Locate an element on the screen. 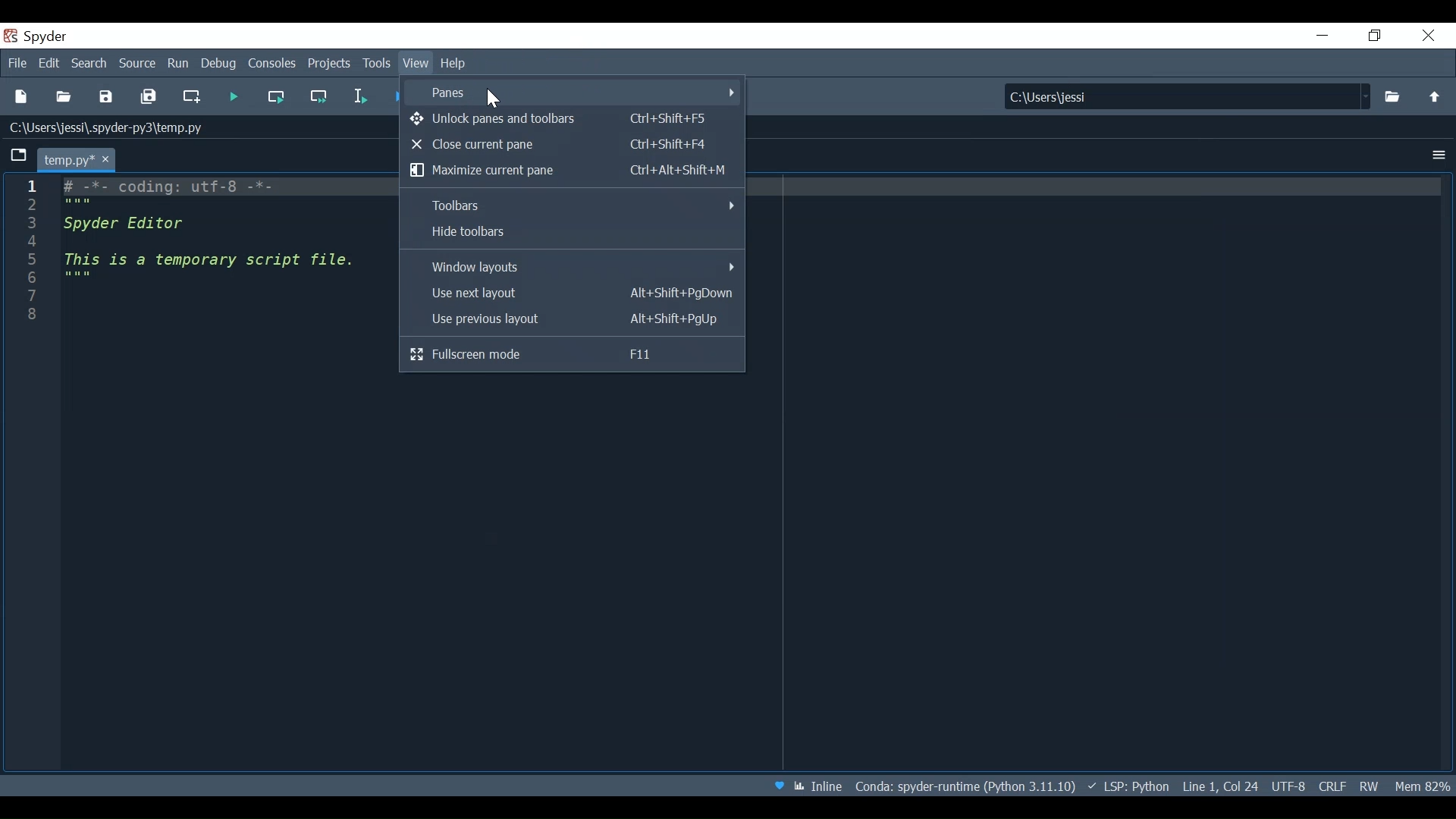  Browse tabs is located at coordinates (20, 158).